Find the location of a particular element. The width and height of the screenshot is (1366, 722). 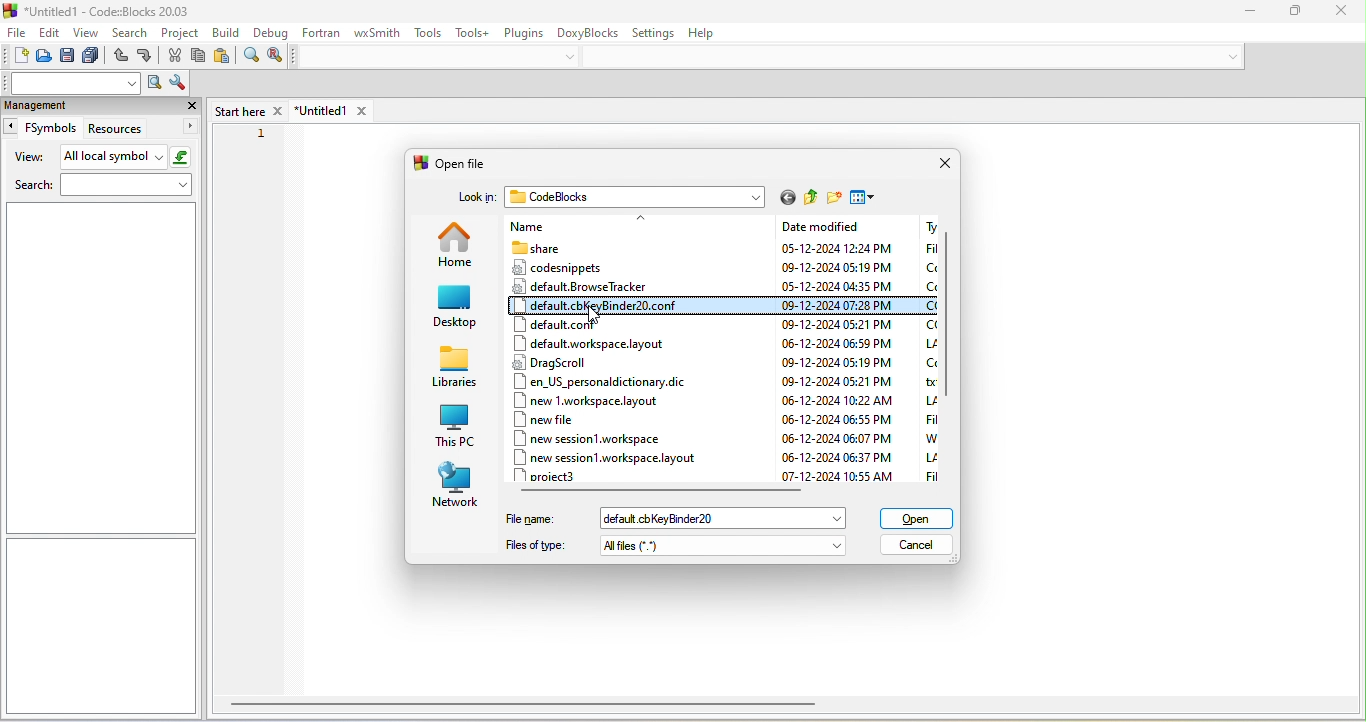

open is located at coordinates (918, 516).